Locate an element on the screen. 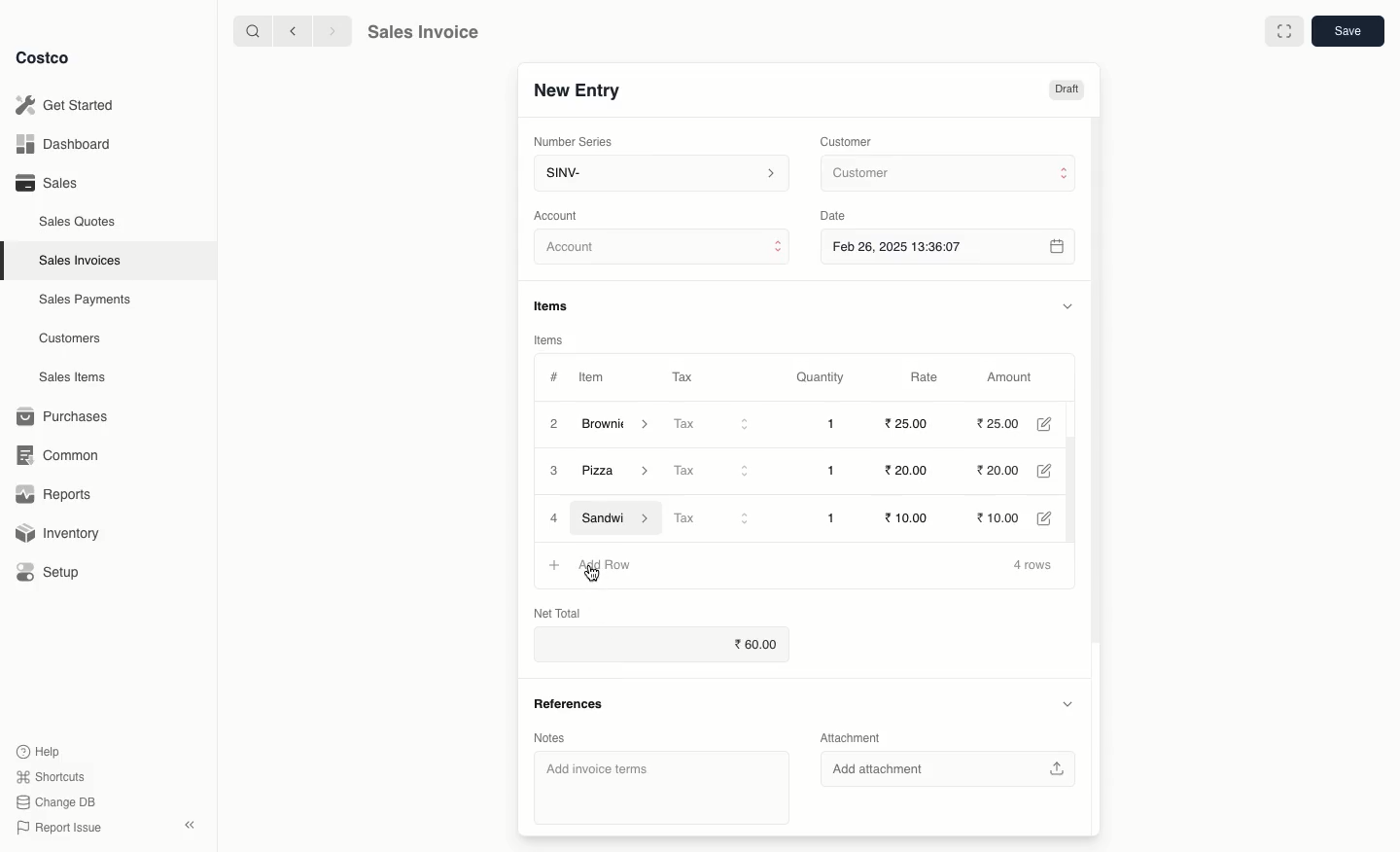 The width and height of the screenshot is (1400, 852). Net Total is located at coordinates (556, 611).